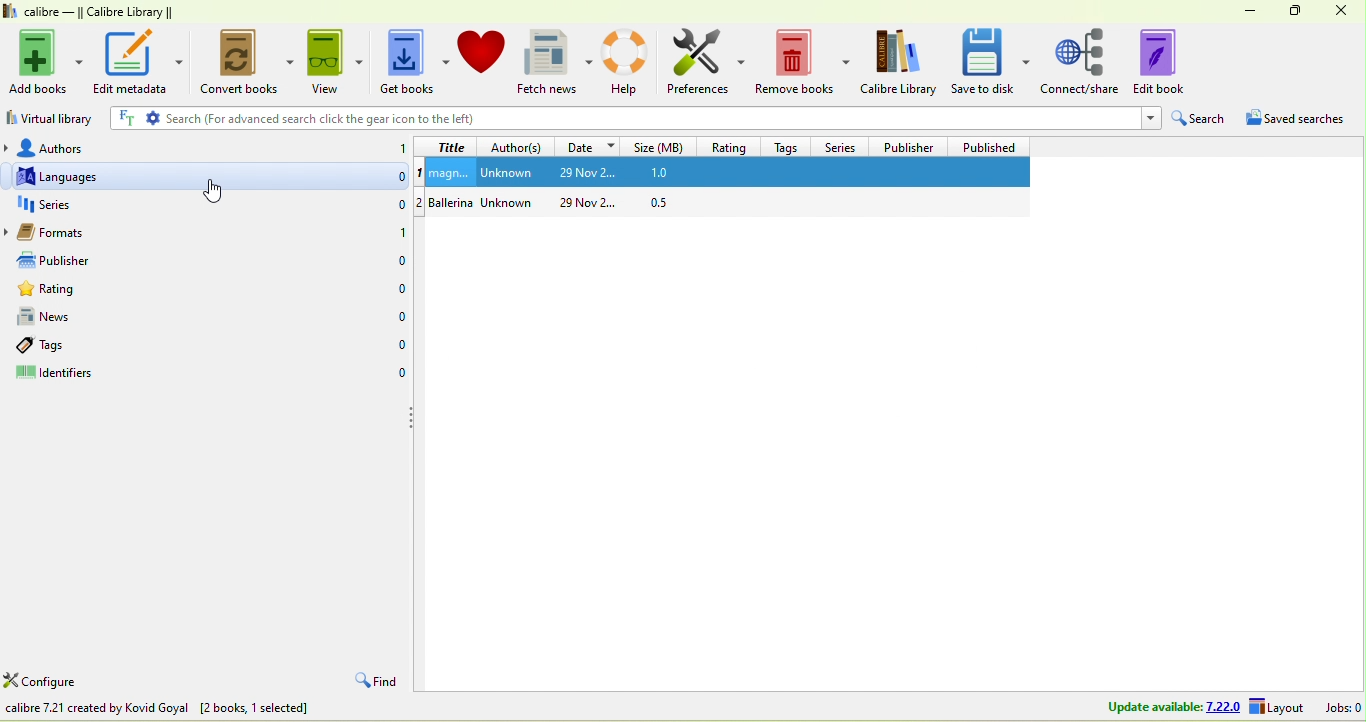 This screenshot has height=722, width=1366. I want to click on 0, so click(399, 180).